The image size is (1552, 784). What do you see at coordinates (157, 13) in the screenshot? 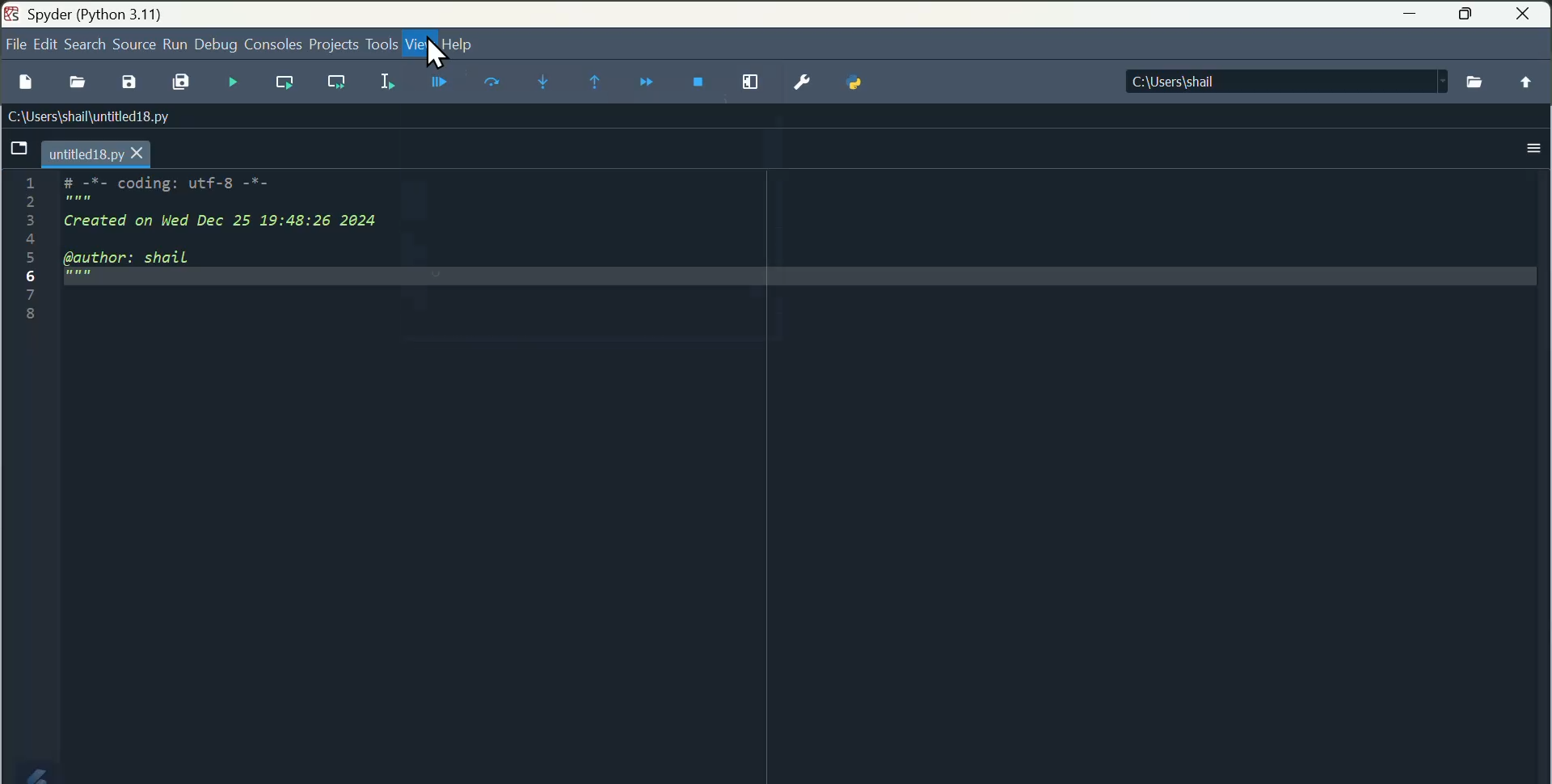
I see `Spyder python three point one` at bounding box center [157, 13].